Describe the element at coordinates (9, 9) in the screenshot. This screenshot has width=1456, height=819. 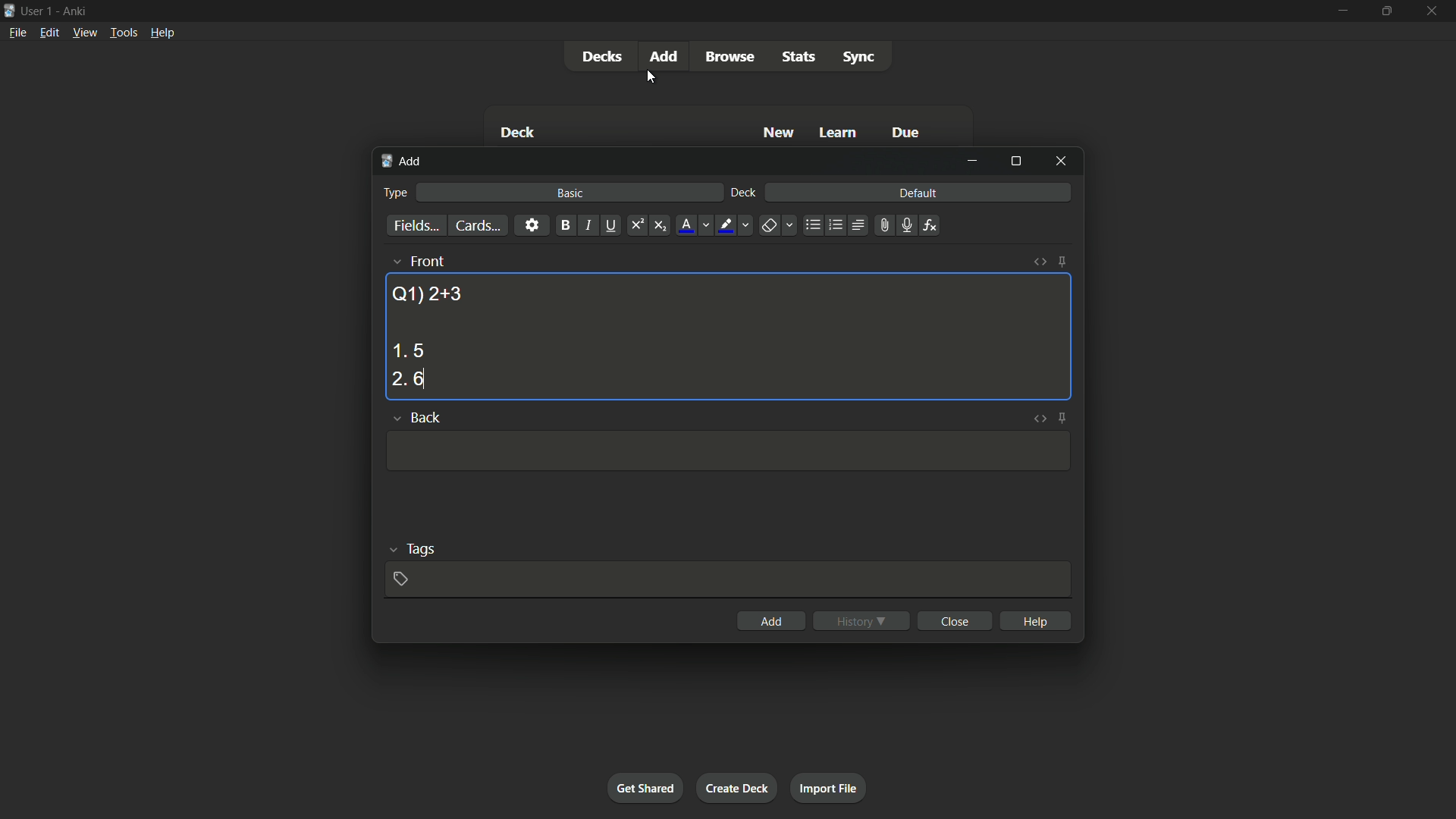
I see `app icon` at that location.